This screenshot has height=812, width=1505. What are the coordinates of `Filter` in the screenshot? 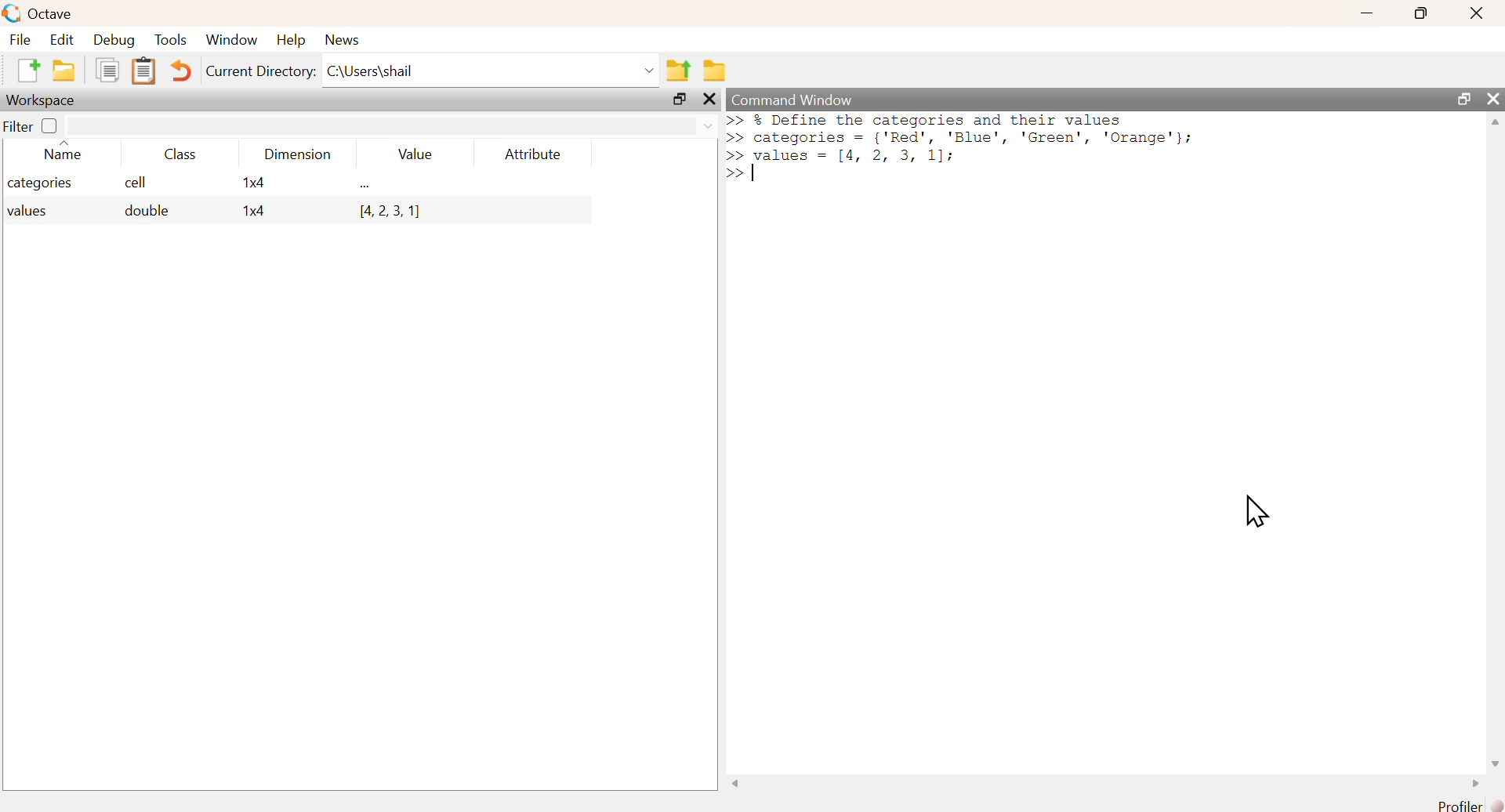 It's located at (33, 125).